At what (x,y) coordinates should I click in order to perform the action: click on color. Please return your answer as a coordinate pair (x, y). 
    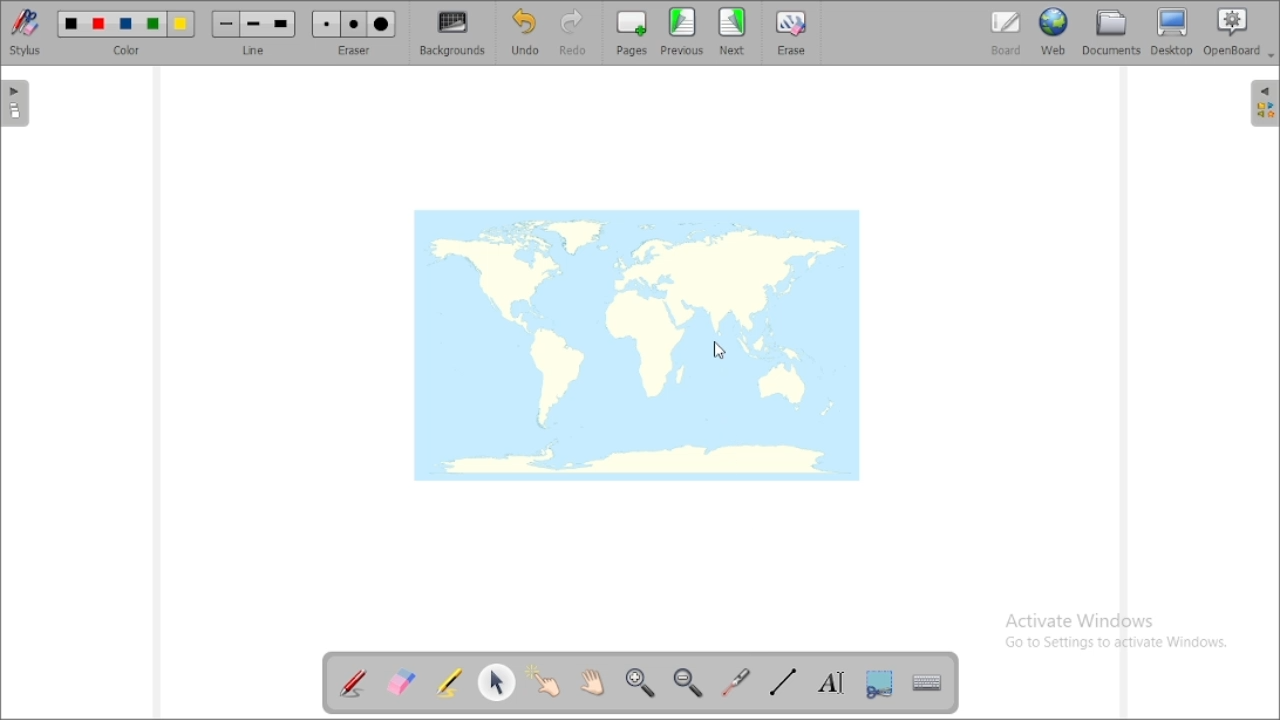
    Looking at the image, I should click on (127, 32).